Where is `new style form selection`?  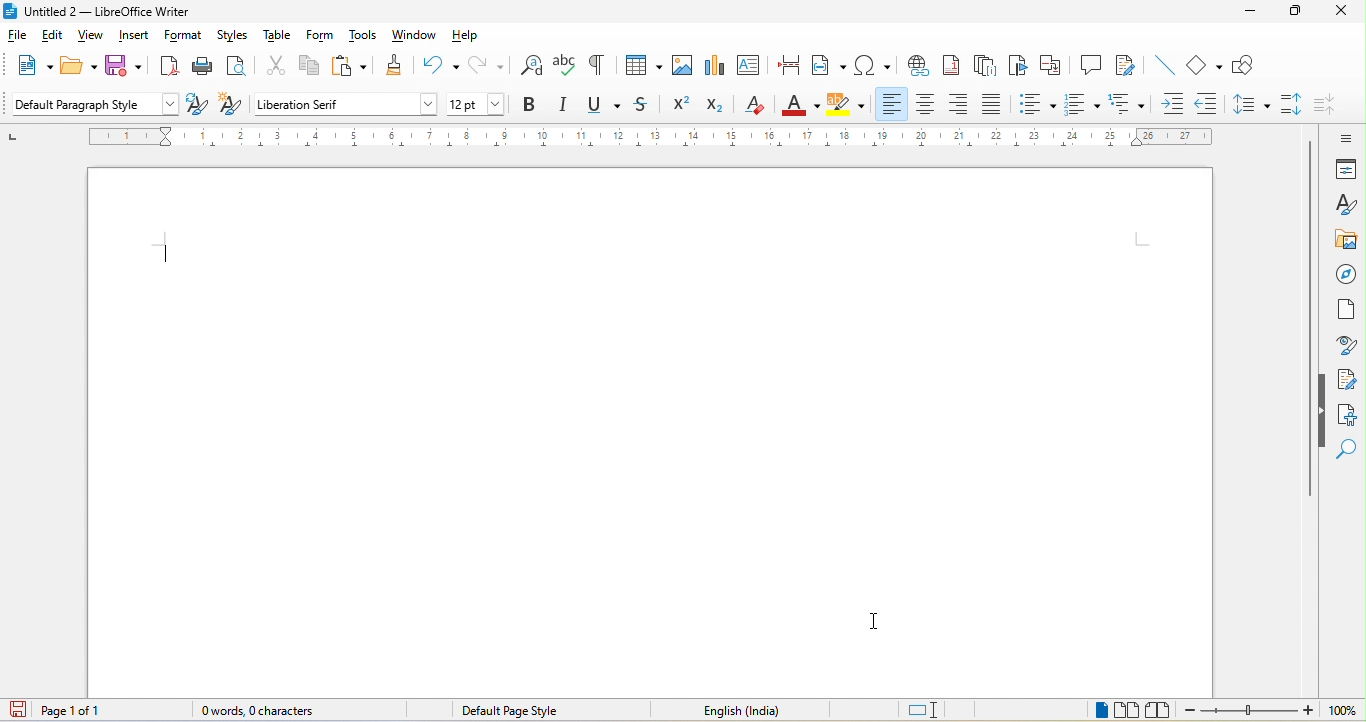 new style form selection is located at coordinates (228, 106).